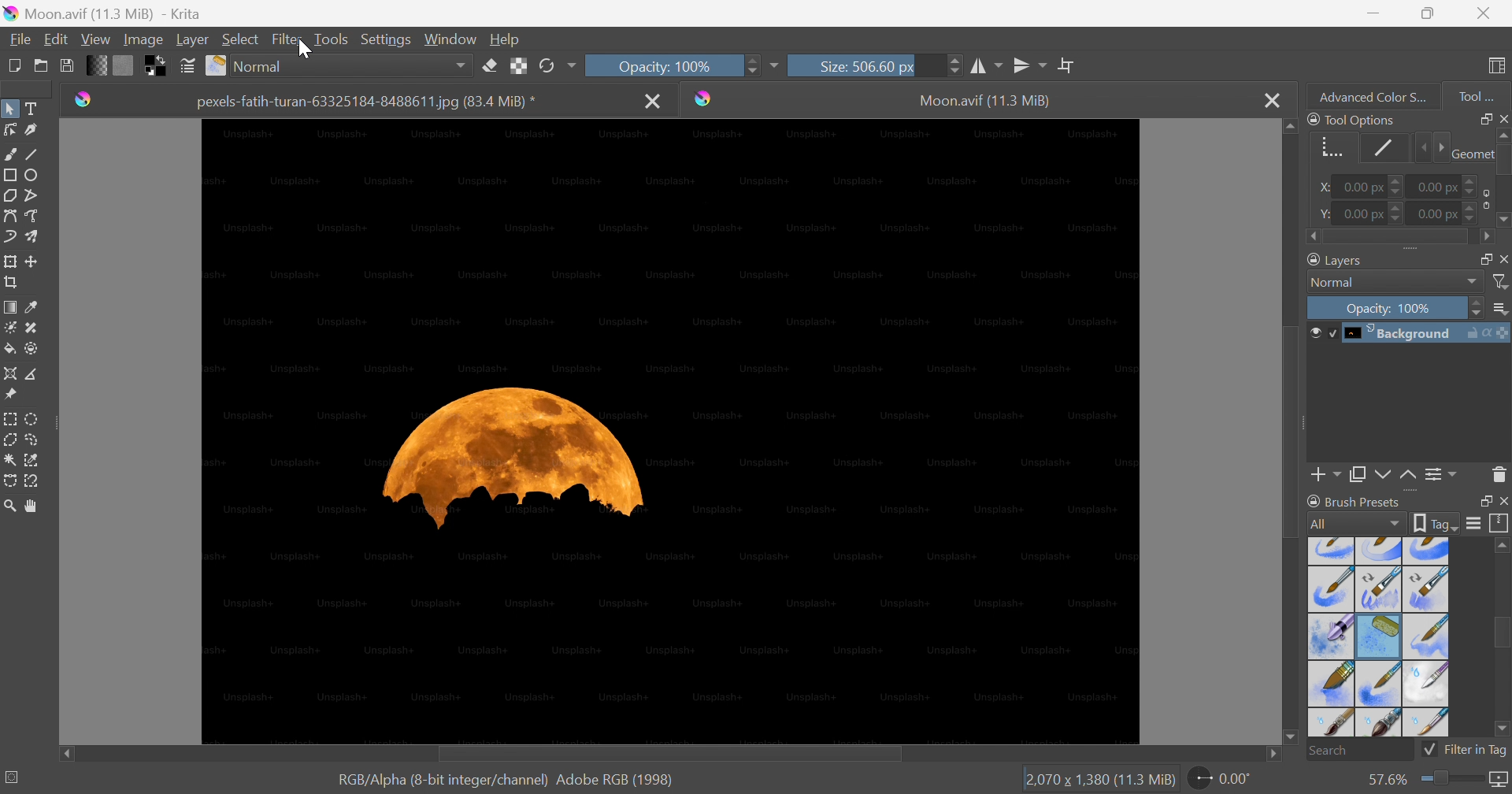 The height and width of the screenshot is (794, 1512). Describe the element at coordinates (1332, 260) in the screenshot. I see `Layers` at that location.